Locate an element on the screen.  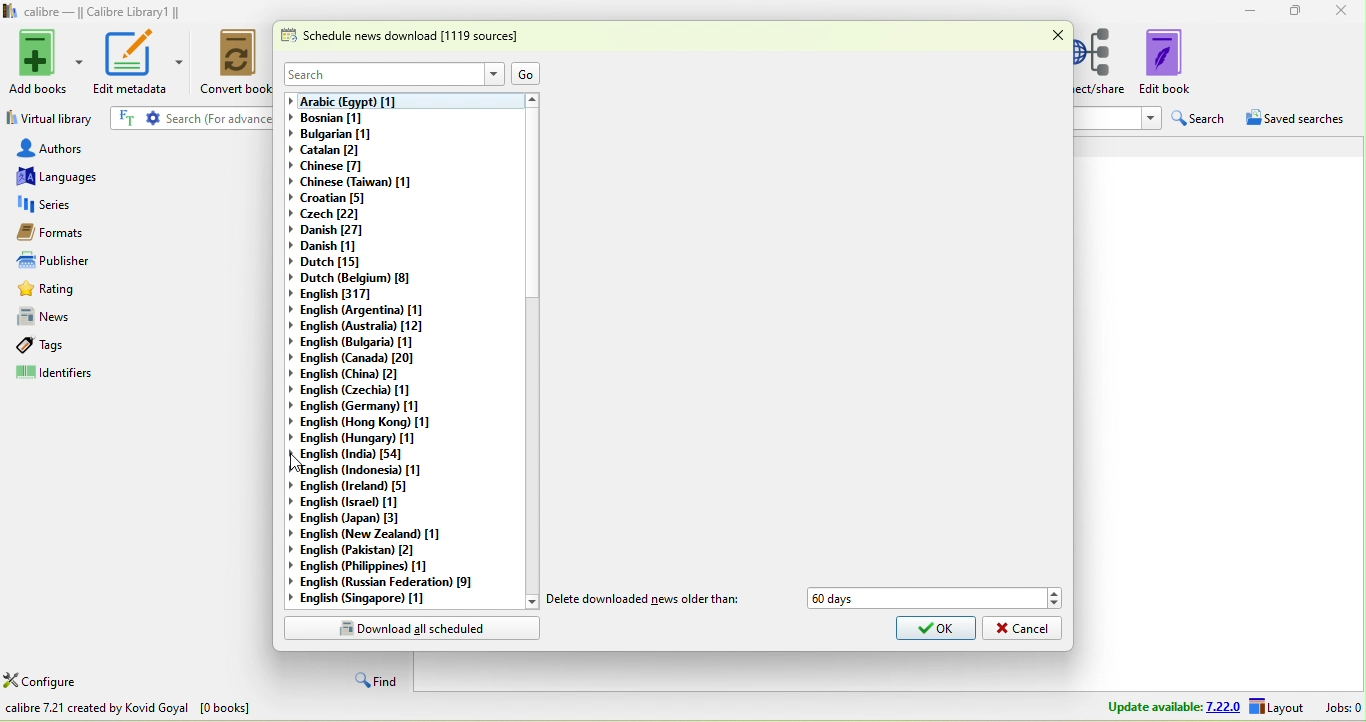
languages is located at coordinates (140, 177).